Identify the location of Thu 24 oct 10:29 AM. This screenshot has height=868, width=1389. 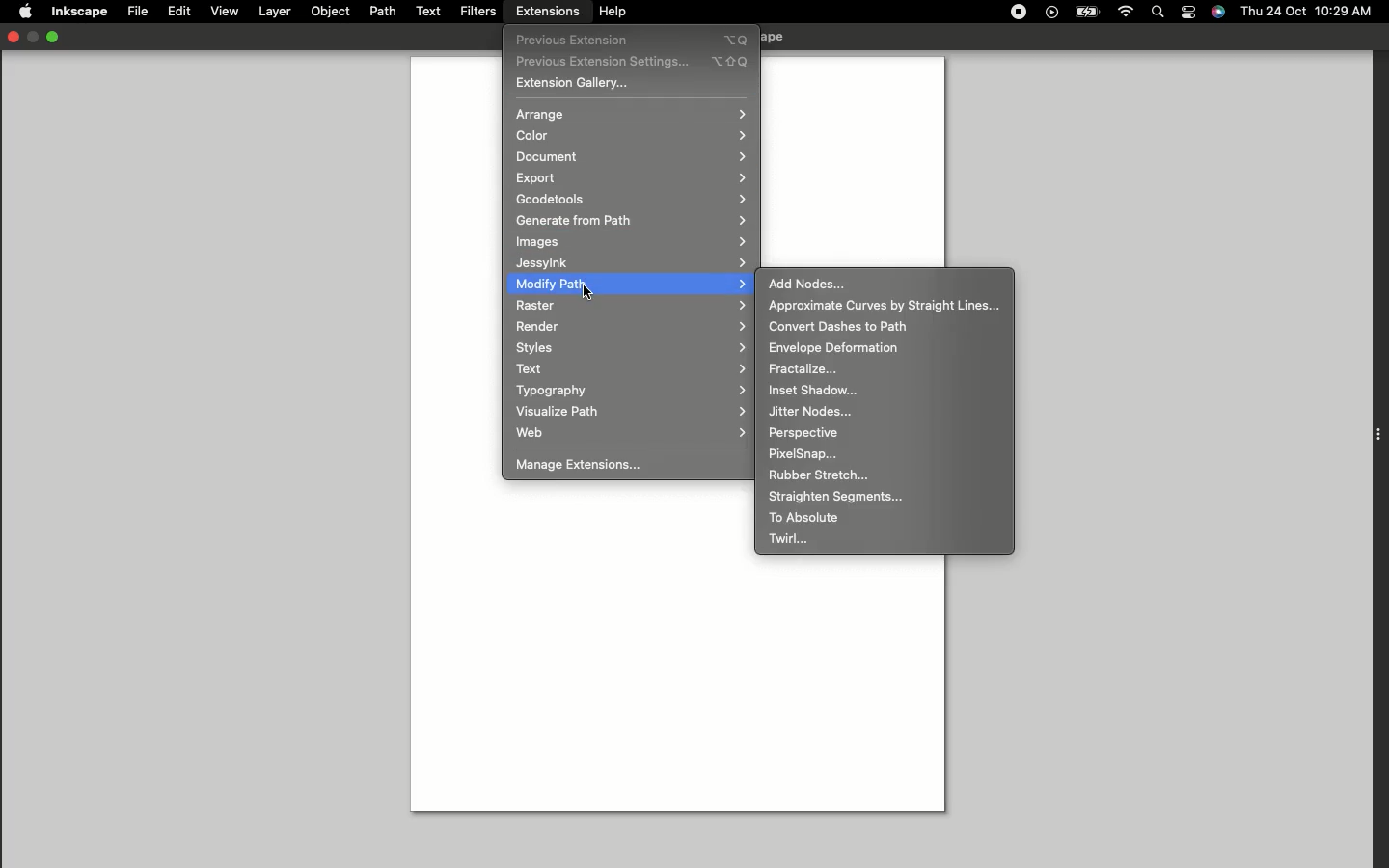
(1307, 12).